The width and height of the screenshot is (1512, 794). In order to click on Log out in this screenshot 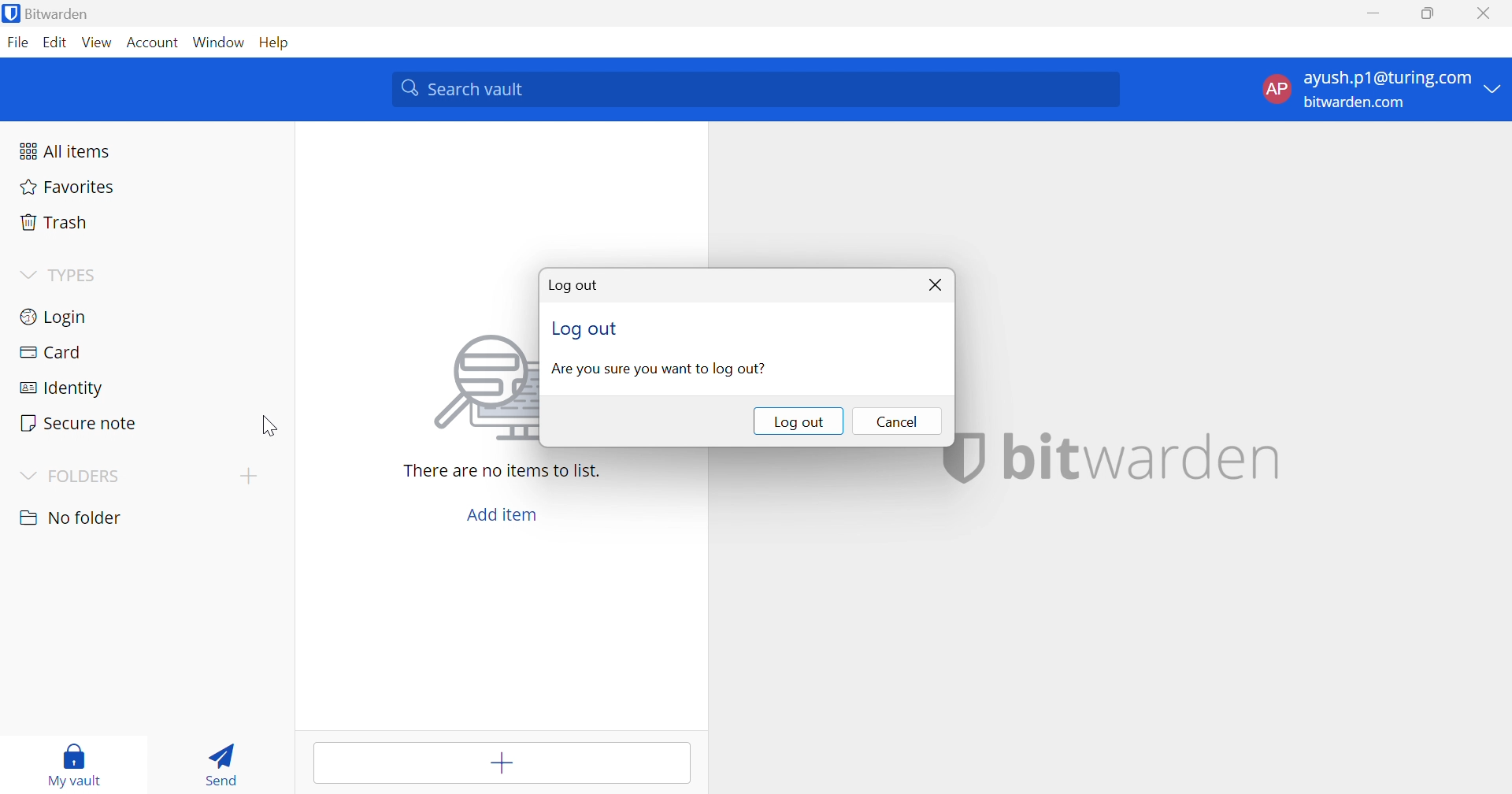, I will do `click(587, 332)`.